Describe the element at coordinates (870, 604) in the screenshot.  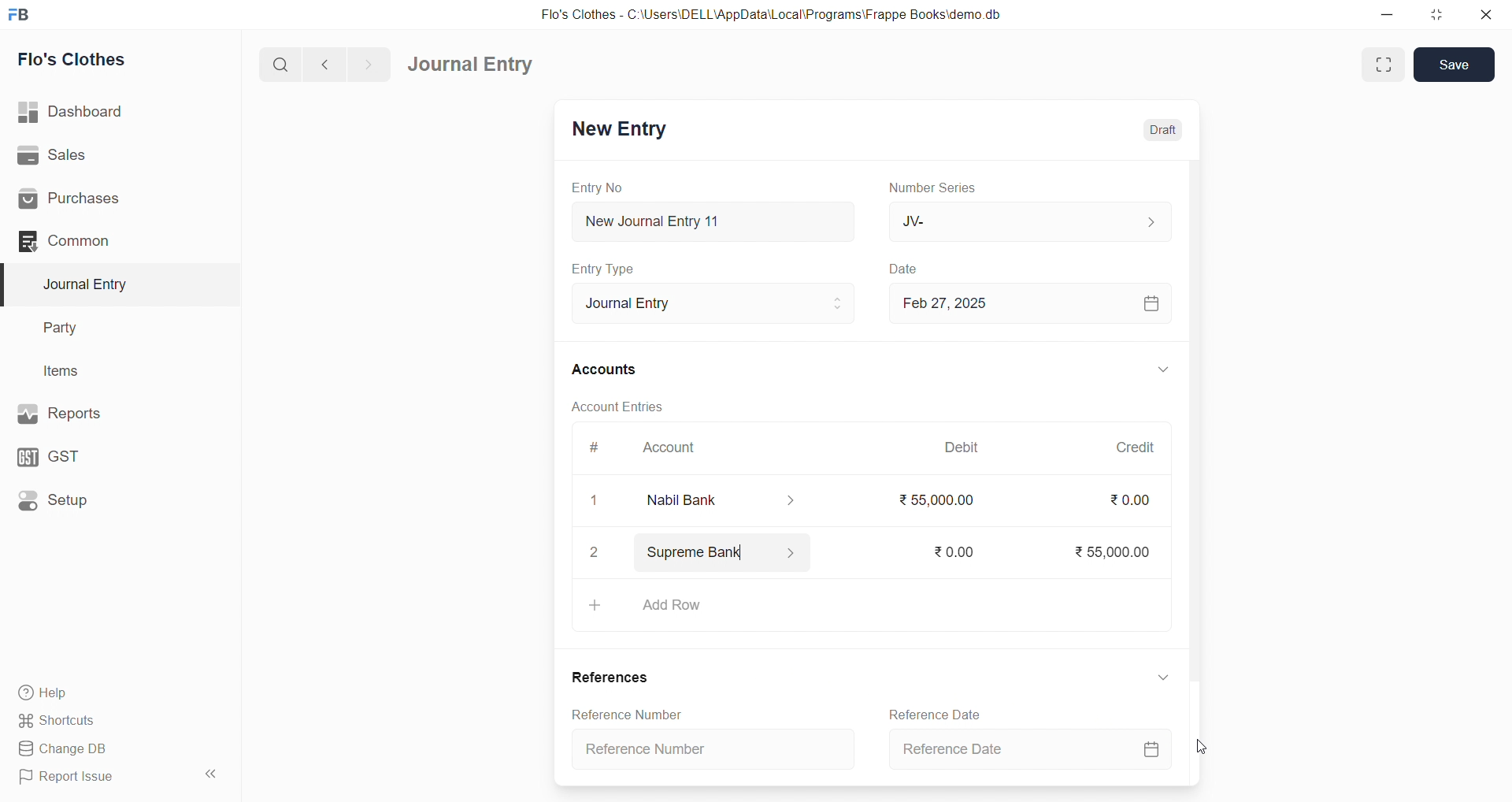
I see `+ Add Row` at that location.